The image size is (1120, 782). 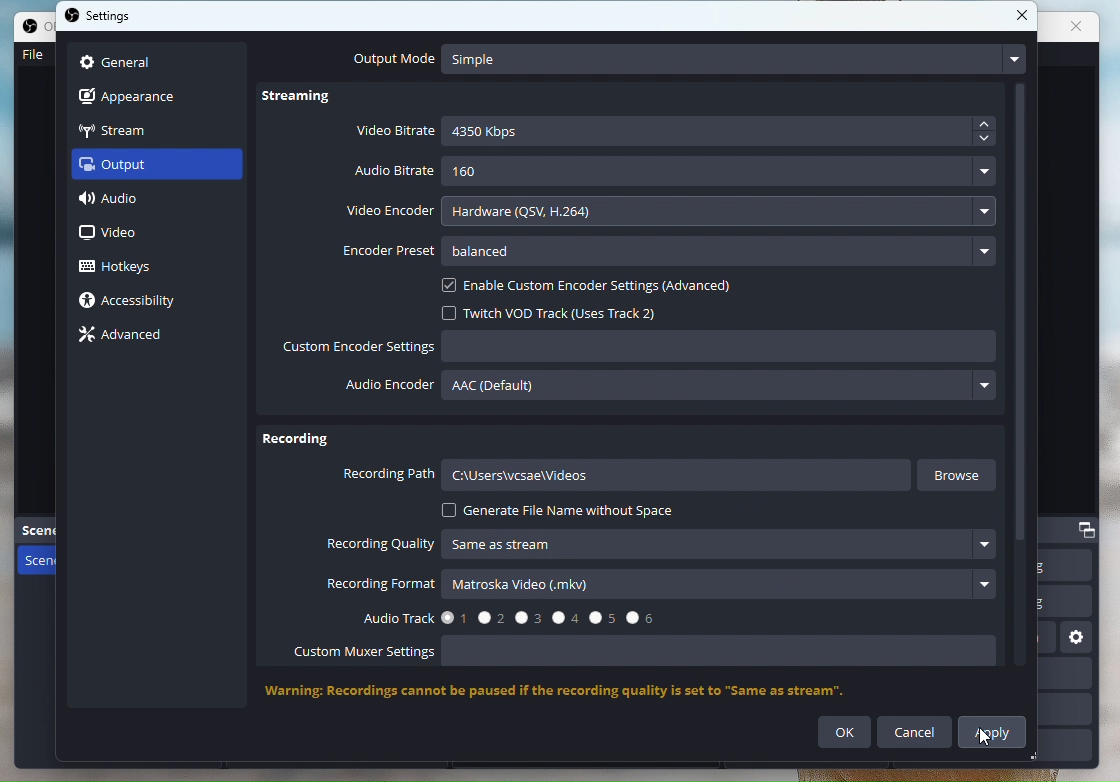 I want to click on Encoder preset, so click(x=667, y=250).